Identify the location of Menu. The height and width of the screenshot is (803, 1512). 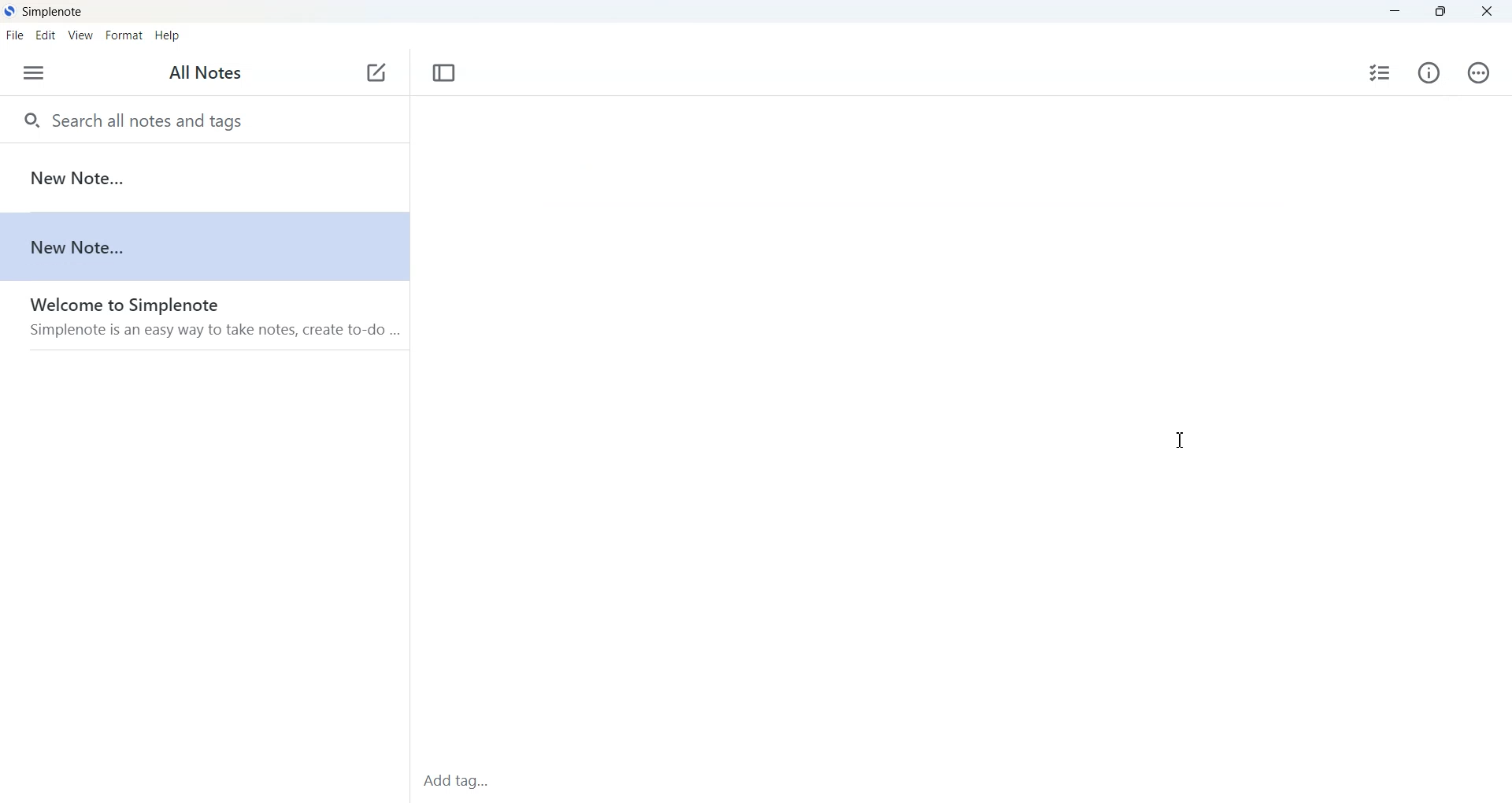
(34, 73).